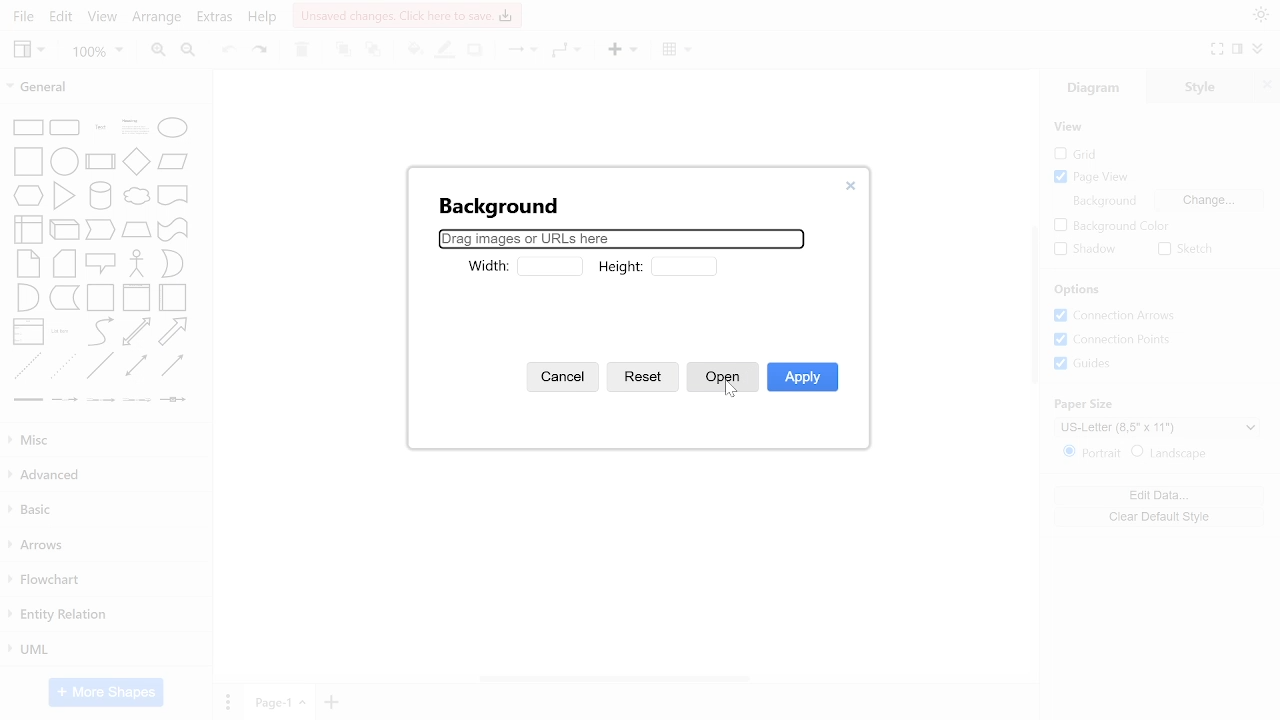 This screenshot has width=1280, height=720. I want to click on general shapes, so click(61, 125).